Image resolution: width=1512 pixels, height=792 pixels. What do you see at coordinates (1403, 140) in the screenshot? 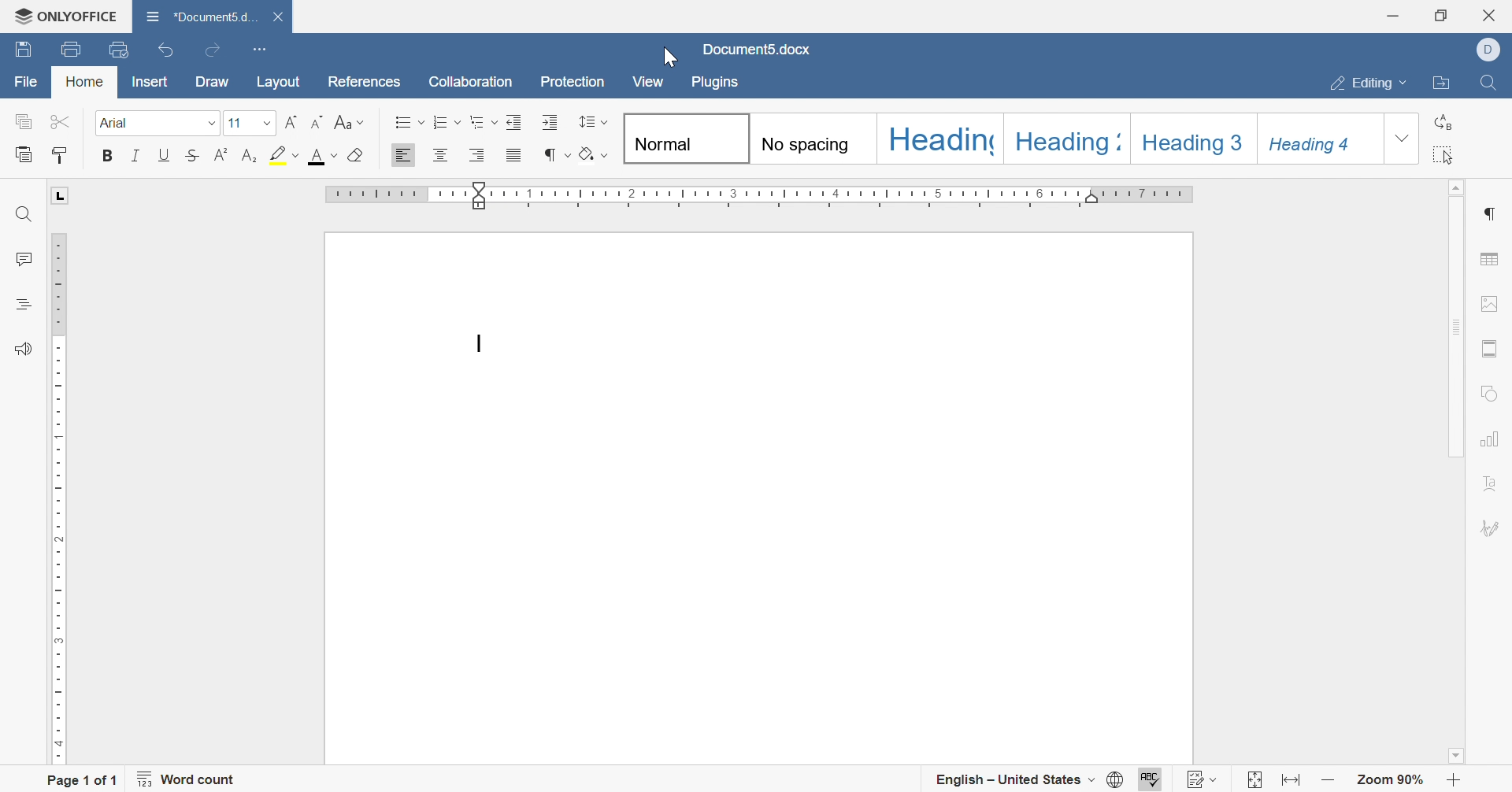
I see `drop down` at bounding box center [1403, 140].